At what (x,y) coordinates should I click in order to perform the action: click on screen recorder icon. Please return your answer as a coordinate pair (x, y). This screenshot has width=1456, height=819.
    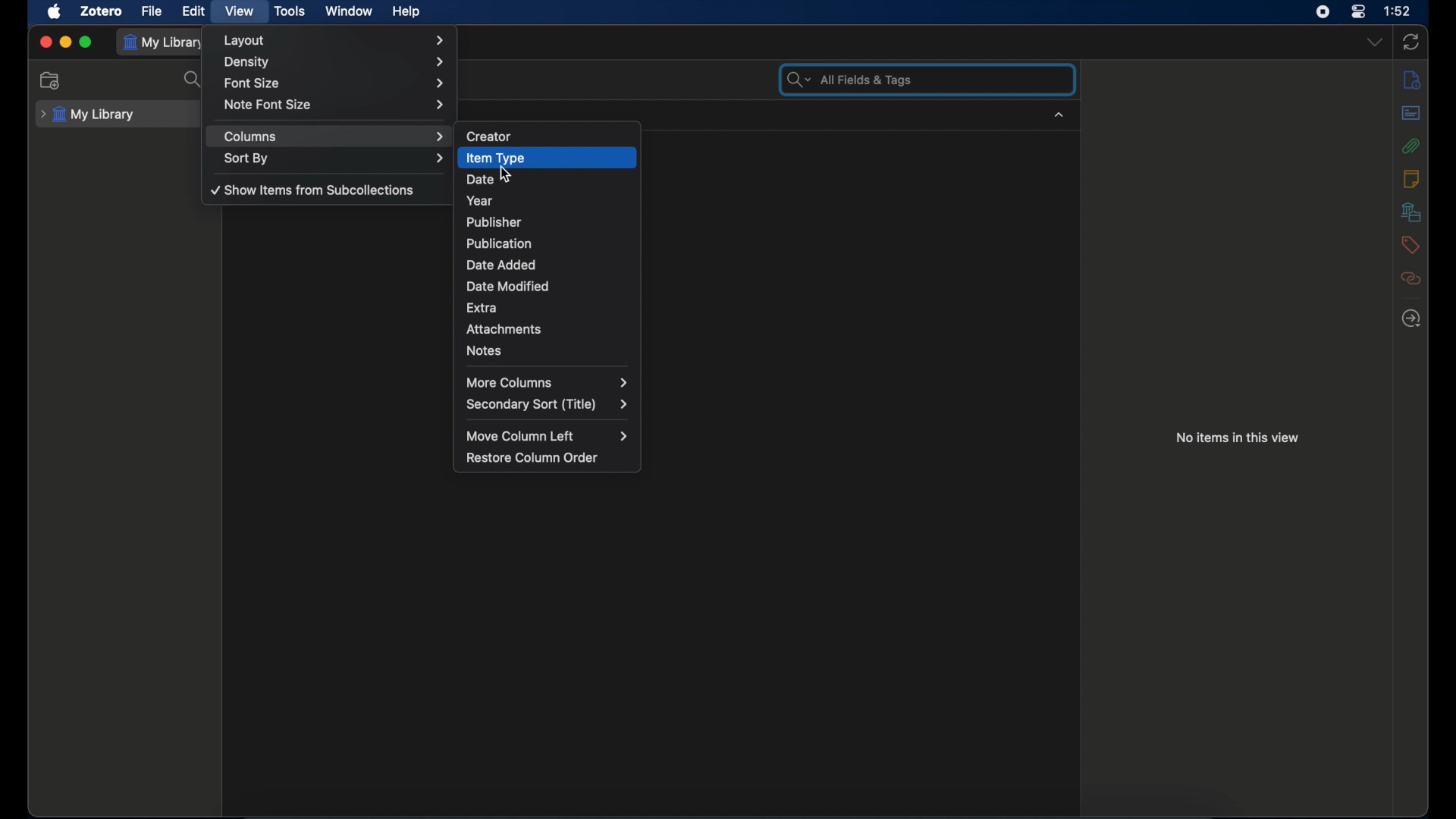
    Looking at the image, I should click on (1321, 12).